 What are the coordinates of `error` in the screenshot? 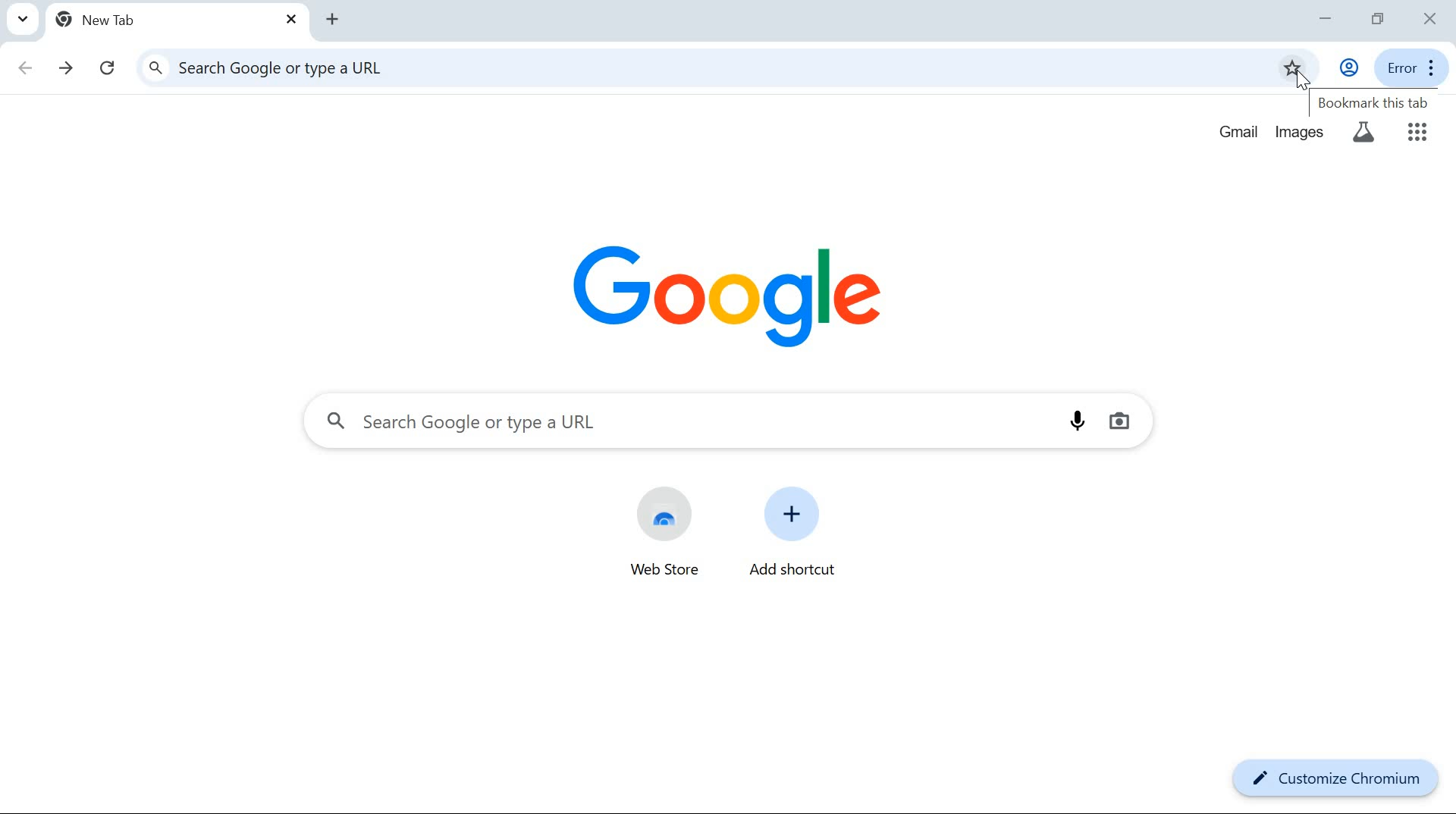 It's located at (1399, 67).